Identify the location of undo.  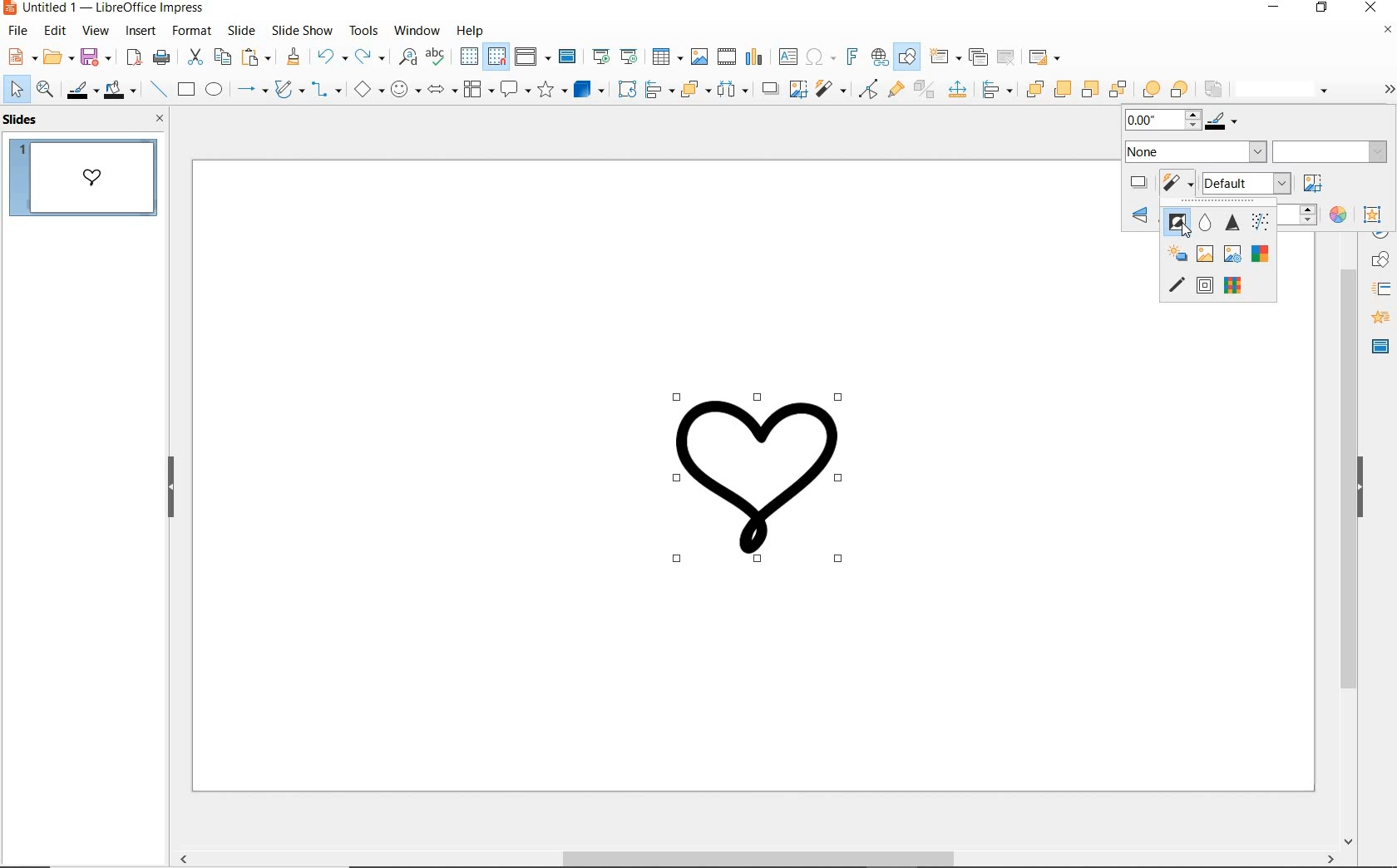
(331, 57).